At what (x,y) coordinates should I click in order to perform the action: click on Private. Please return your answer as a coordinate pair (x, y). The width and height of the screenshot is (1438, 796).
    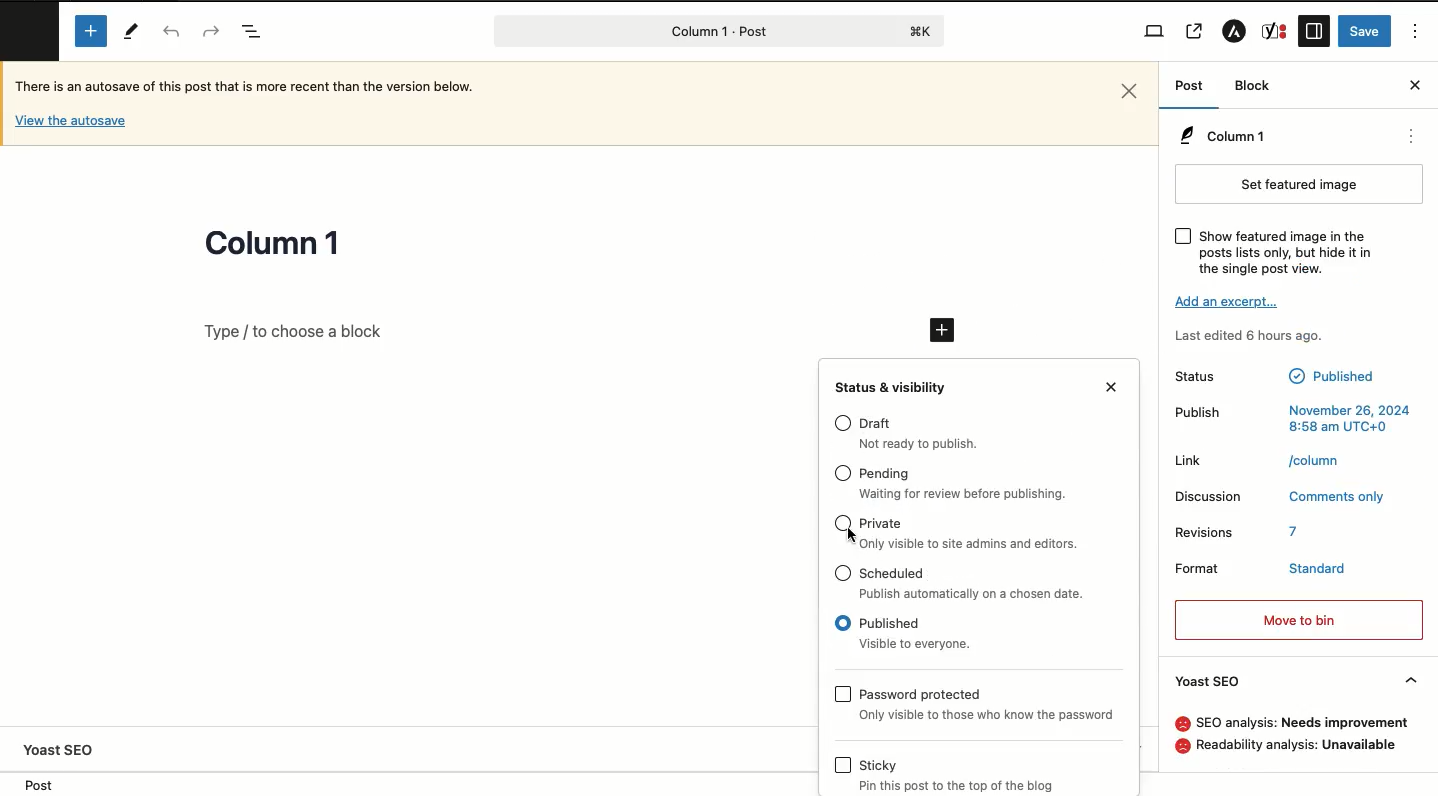
    Looking at the image, I should click on (972, 543).